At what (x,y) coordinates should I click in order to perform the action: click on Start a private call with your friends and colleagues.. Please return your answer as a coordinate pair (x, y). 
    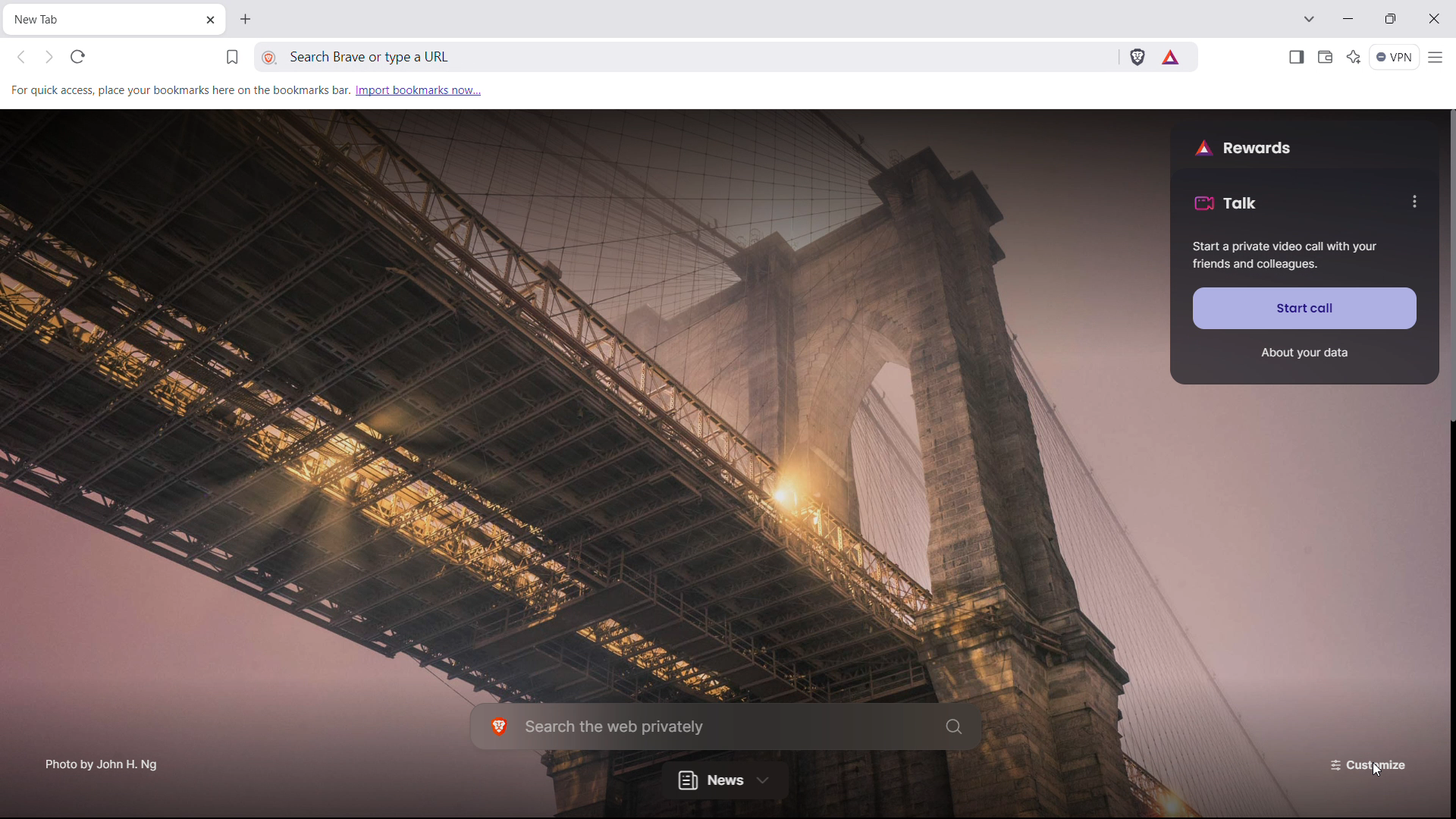
    Looking at the image, I should click on (1285, 256).